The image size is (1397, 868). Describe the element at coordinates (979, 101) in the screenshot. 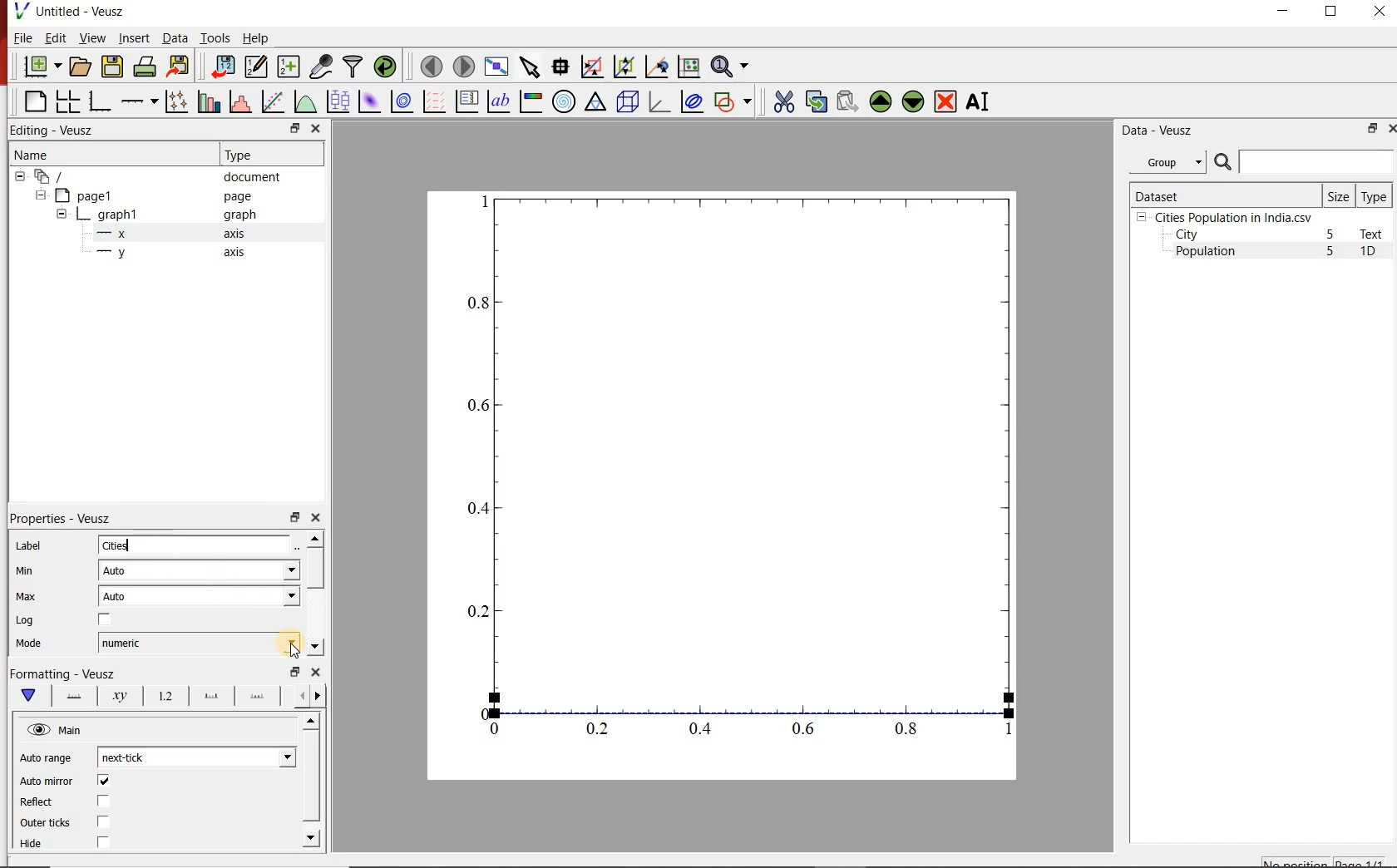

I see `renames the selected widget` at that location.